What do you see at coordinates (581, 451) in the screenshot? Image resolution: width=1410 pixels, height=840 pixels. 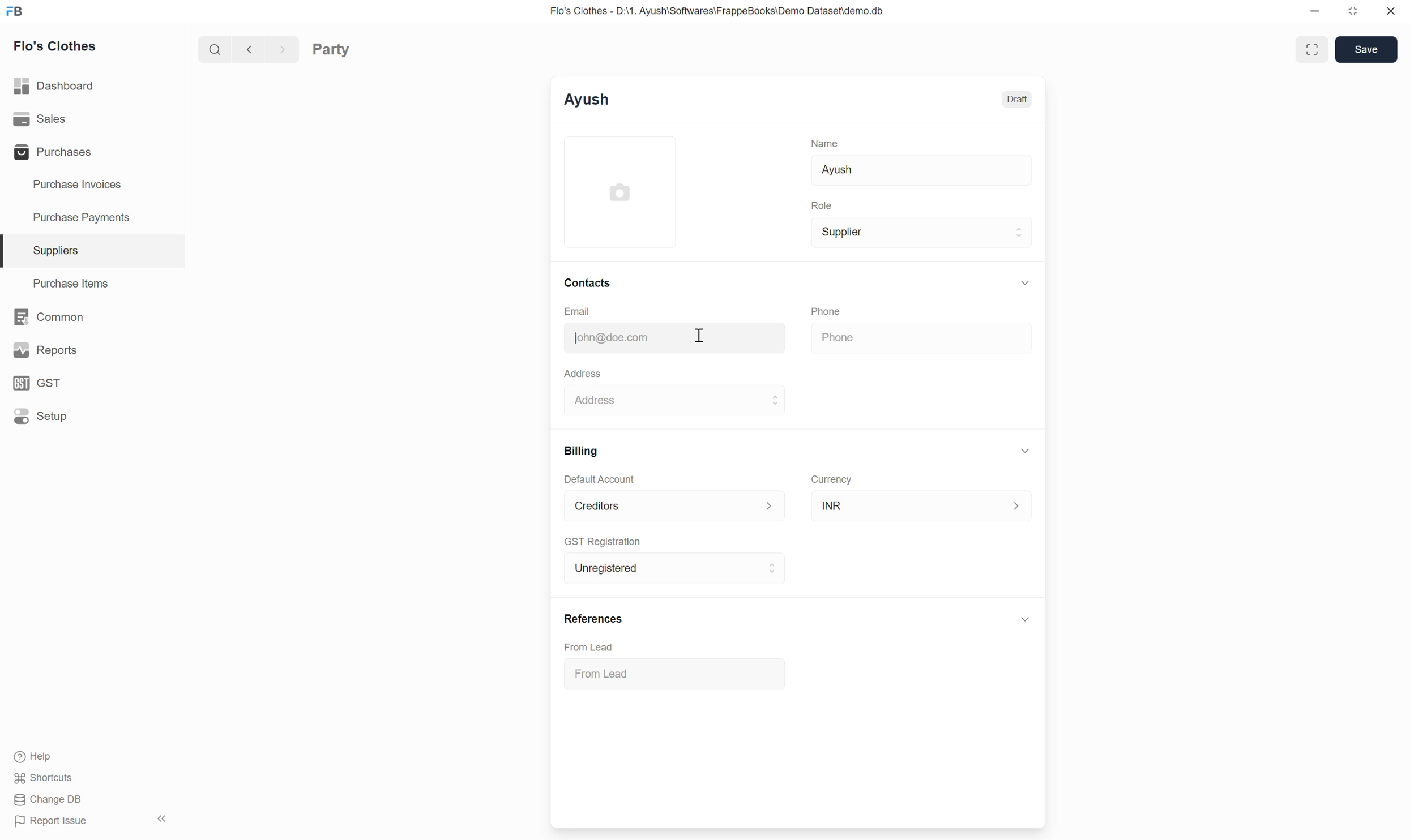 I see `Billing` at bounding box center [581, 451].